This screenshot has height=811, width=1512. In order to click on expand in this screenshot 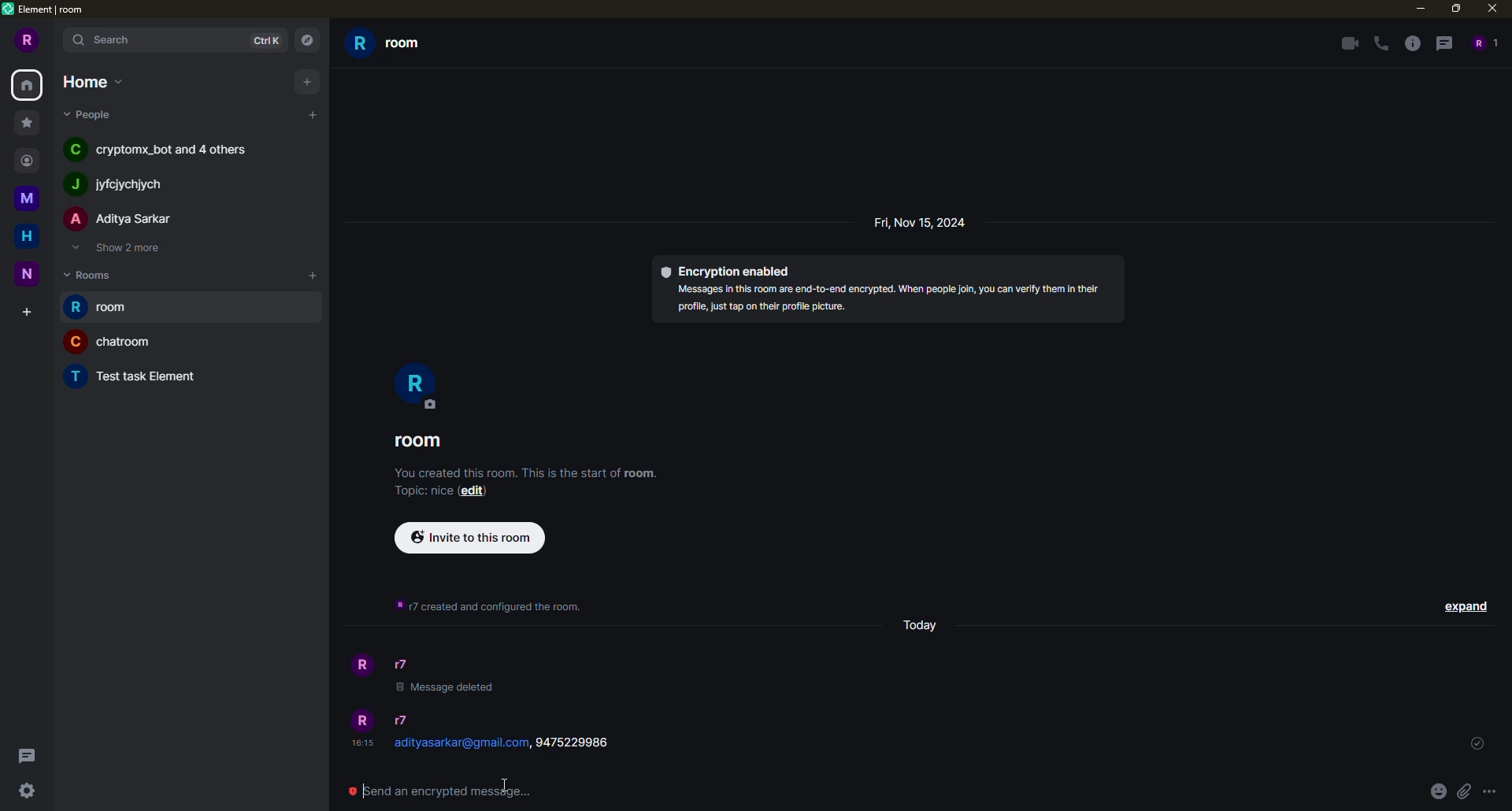, I will do `click(1466, 605)`.